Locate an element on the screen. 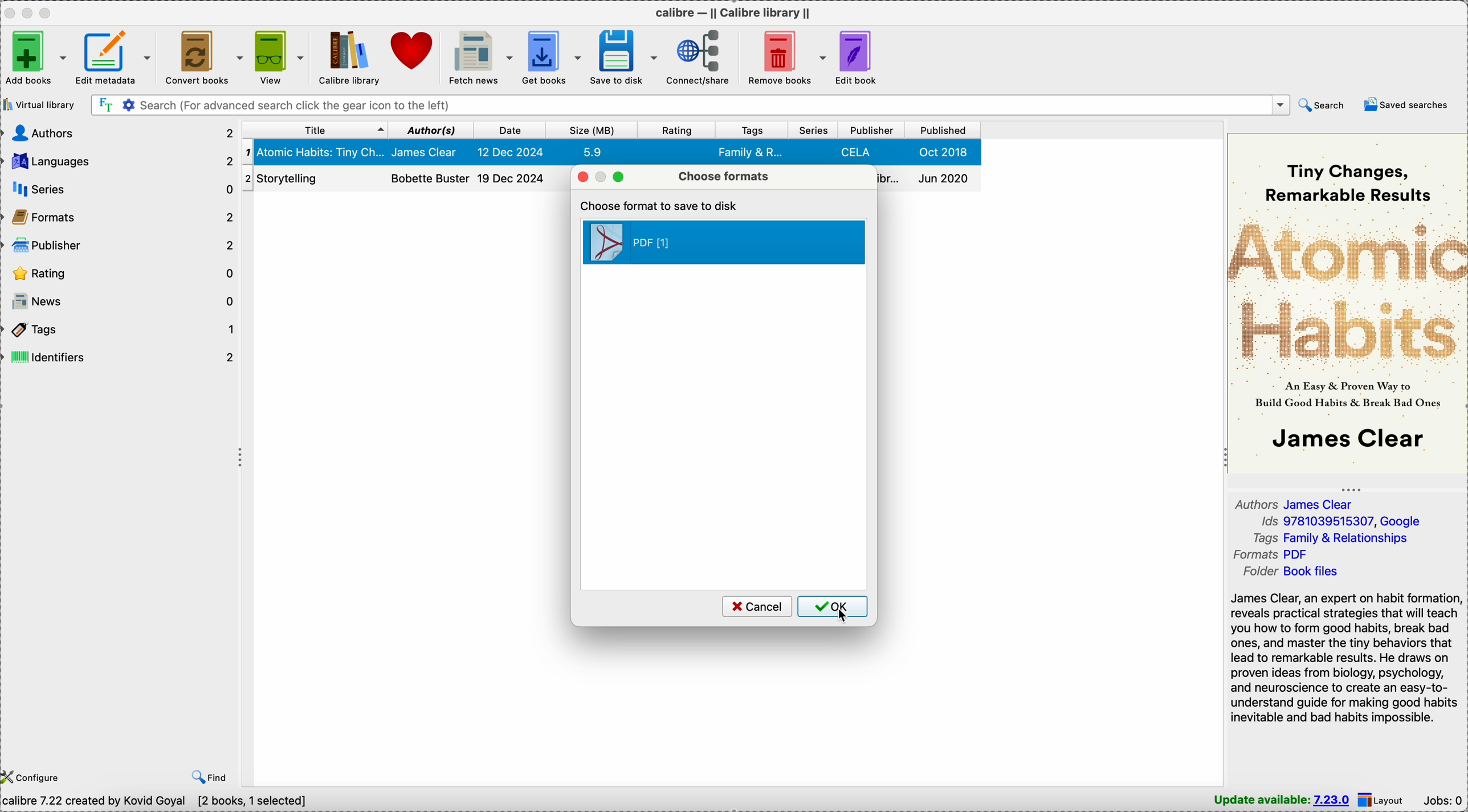  convert books is located at coordinates (203, 57).